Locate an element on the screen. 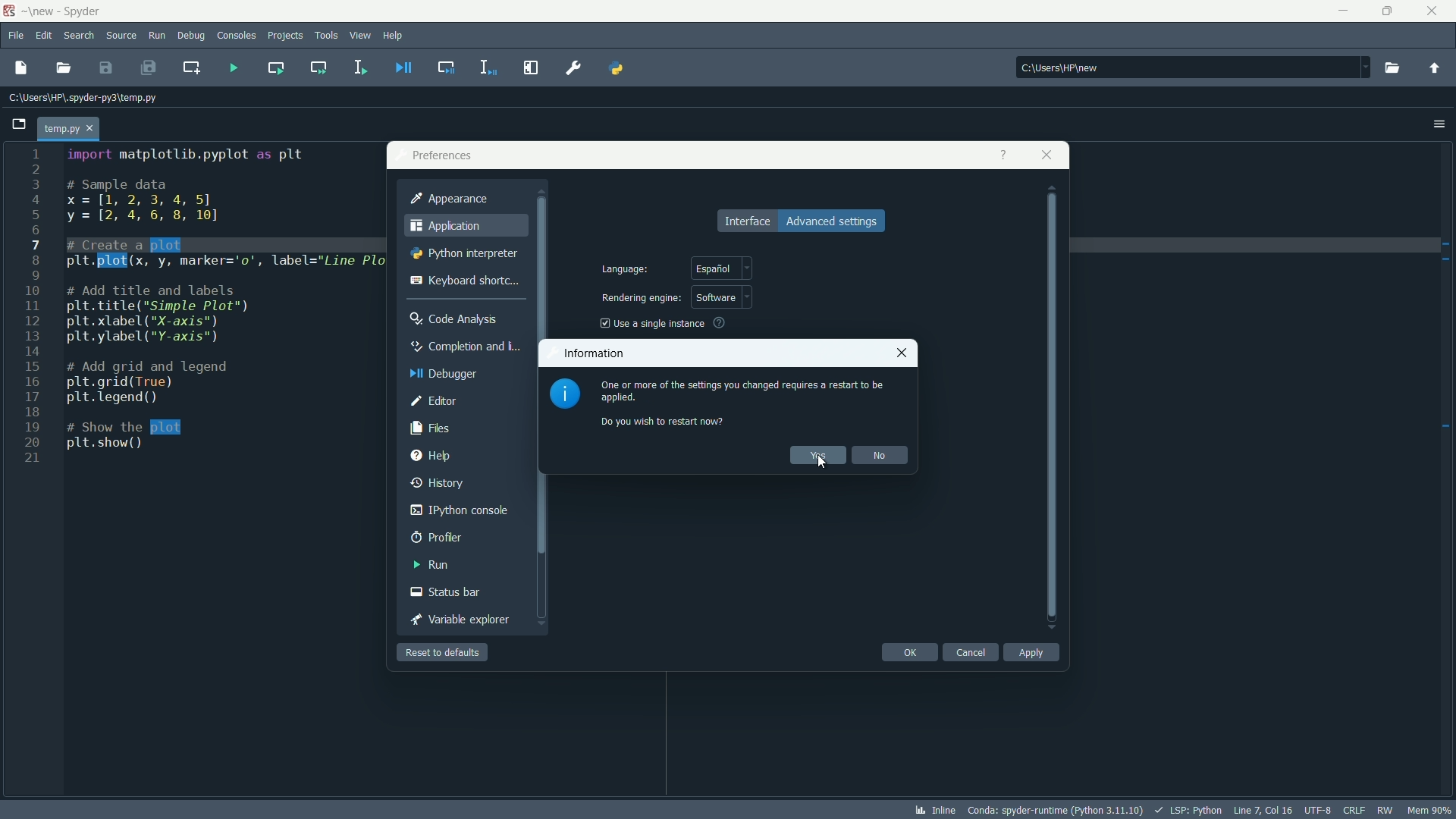  C:\Users\HP\.spyder-py3\temp.py is located at coordinates (79, 98).